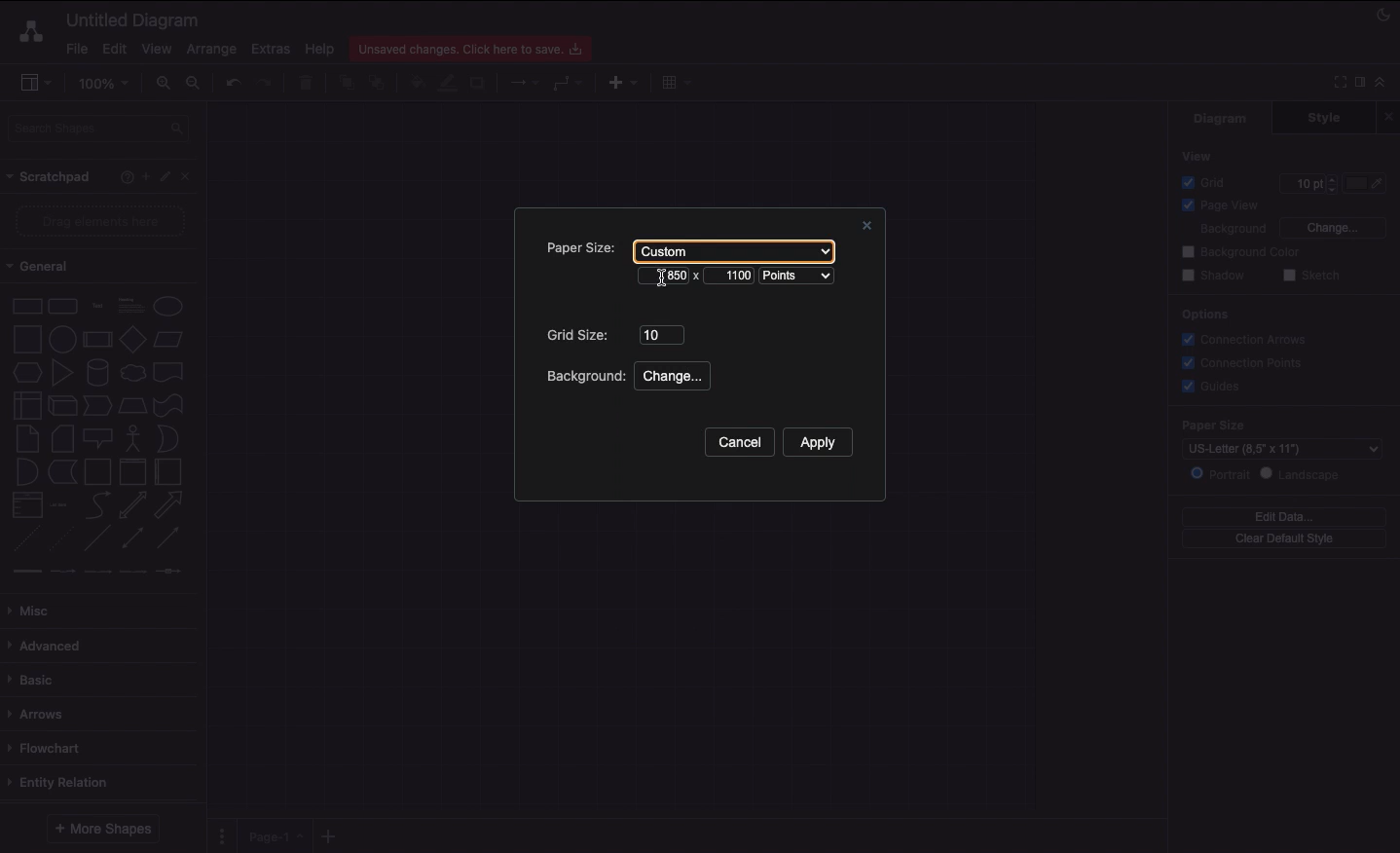  Describe the element at coordinates (26, 373) in the screenshot. I see `Hexagon` at that location.